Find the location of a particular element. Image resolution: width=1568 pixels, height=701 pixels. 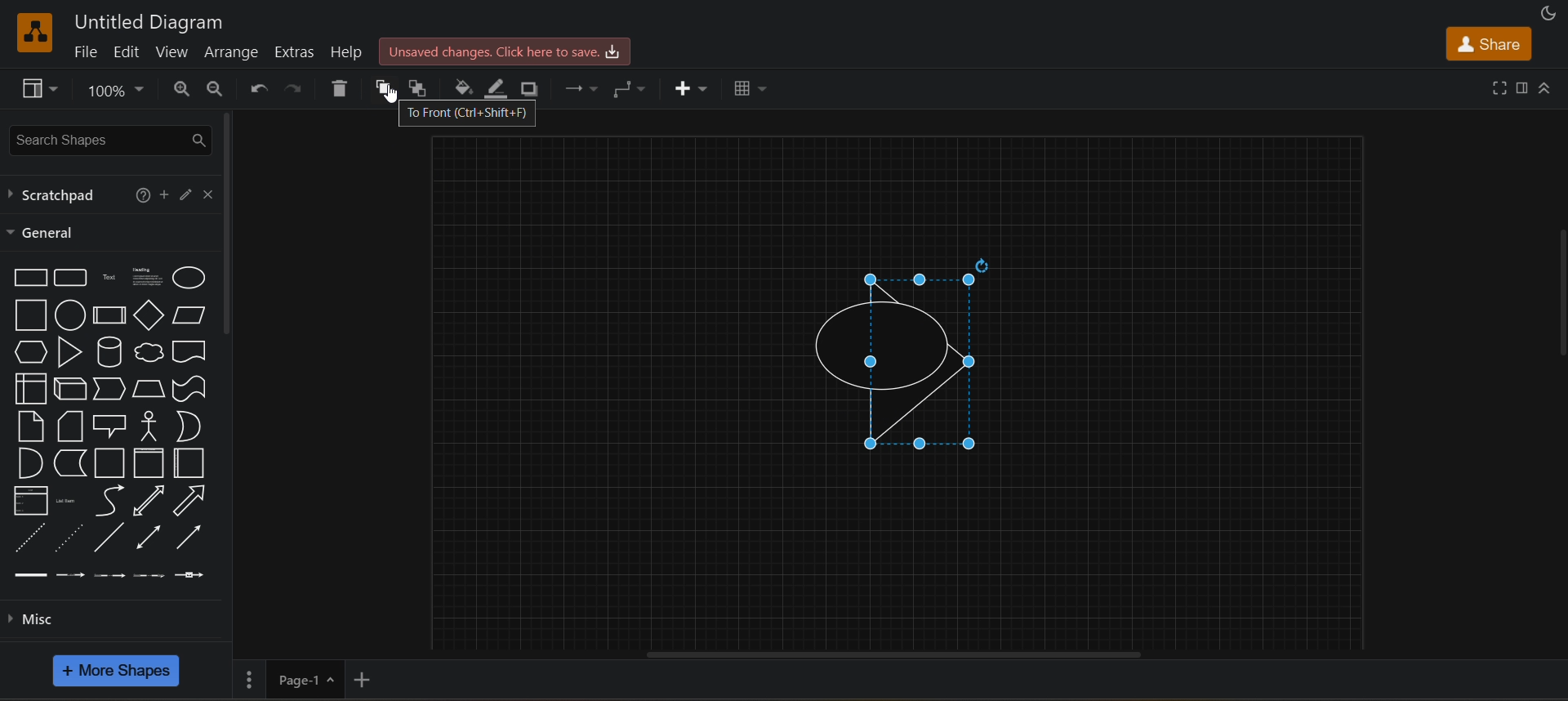

vertical scroll bar is located at coordinates (1559, 291).